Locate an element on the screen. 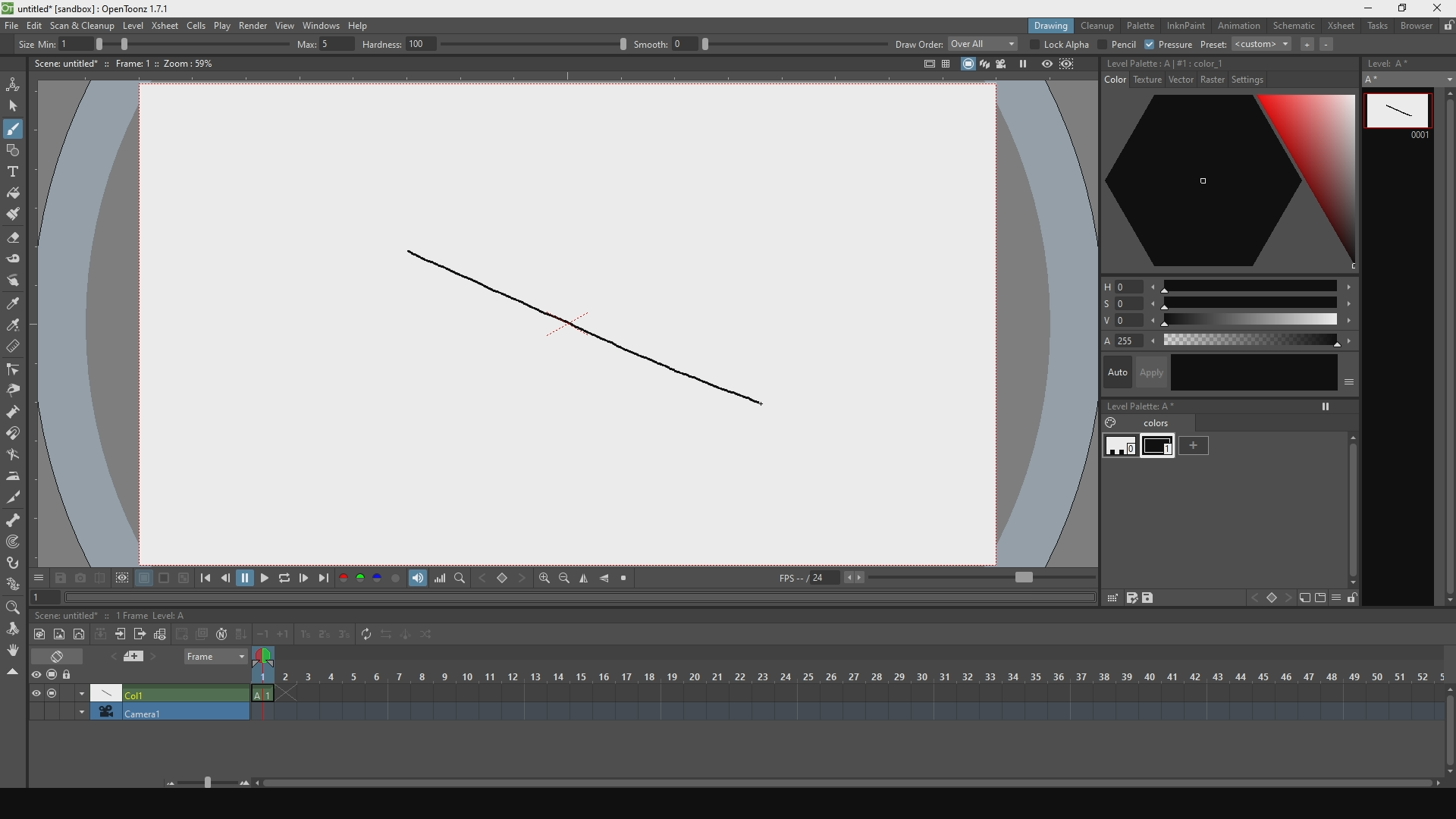 The image size is (1456, 819). saturation is located at coordinates (1225, 304).